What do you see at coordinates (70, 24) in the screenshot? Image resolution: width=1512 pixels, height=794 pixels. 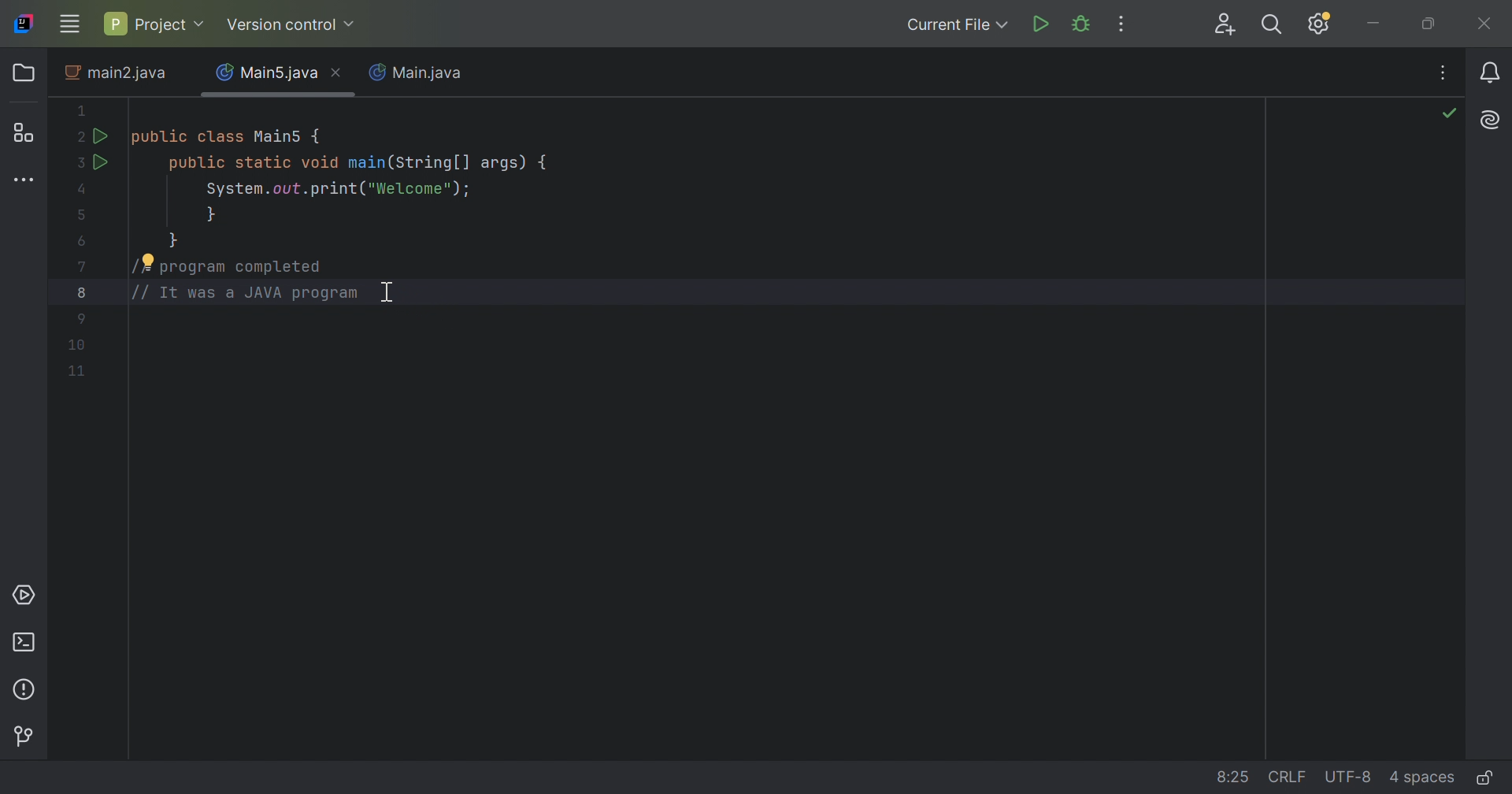 I see `Main menu` at bounding box center [70, 24].